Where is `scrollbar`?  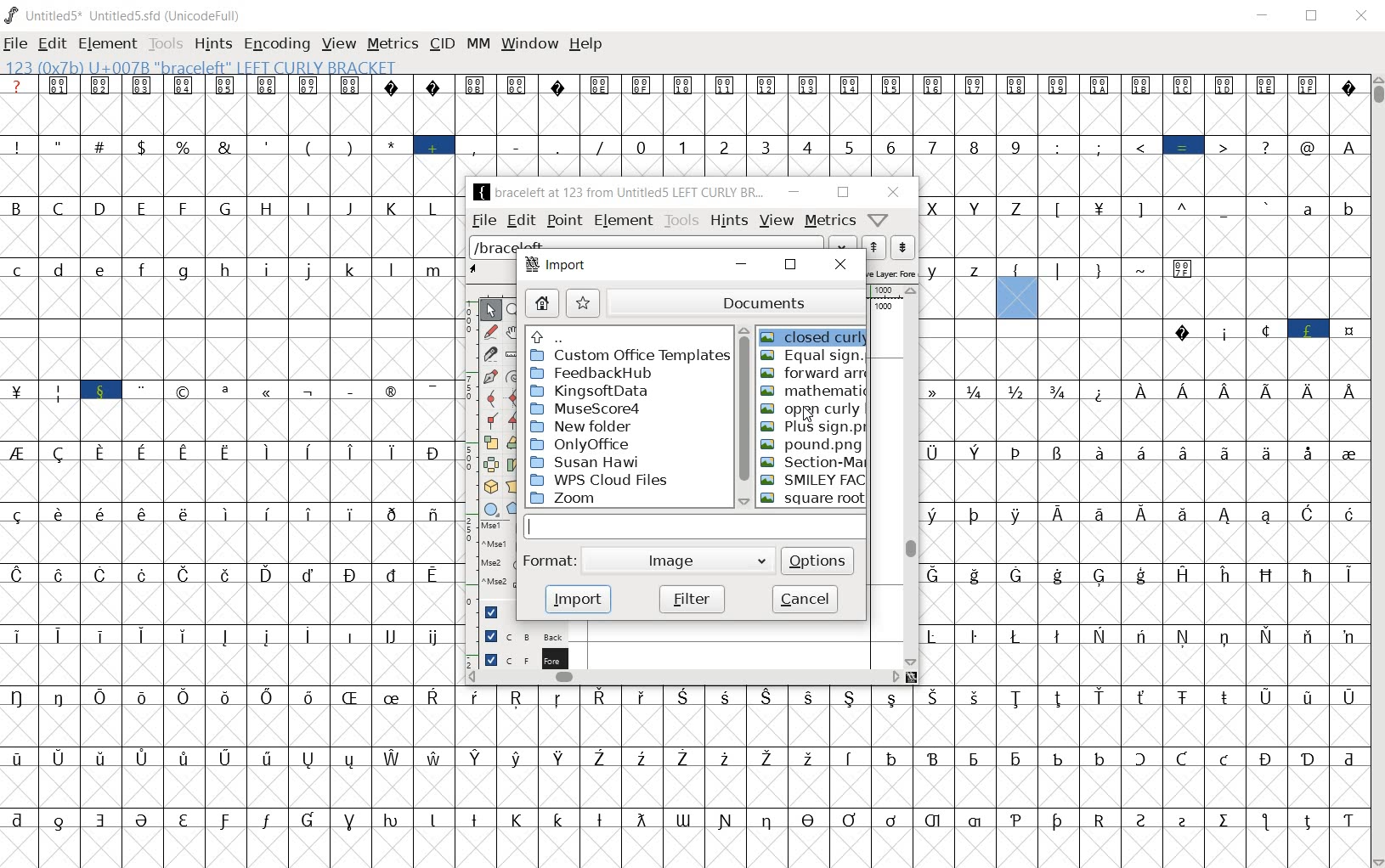
scrollbar is located at coordinates (744, 417).